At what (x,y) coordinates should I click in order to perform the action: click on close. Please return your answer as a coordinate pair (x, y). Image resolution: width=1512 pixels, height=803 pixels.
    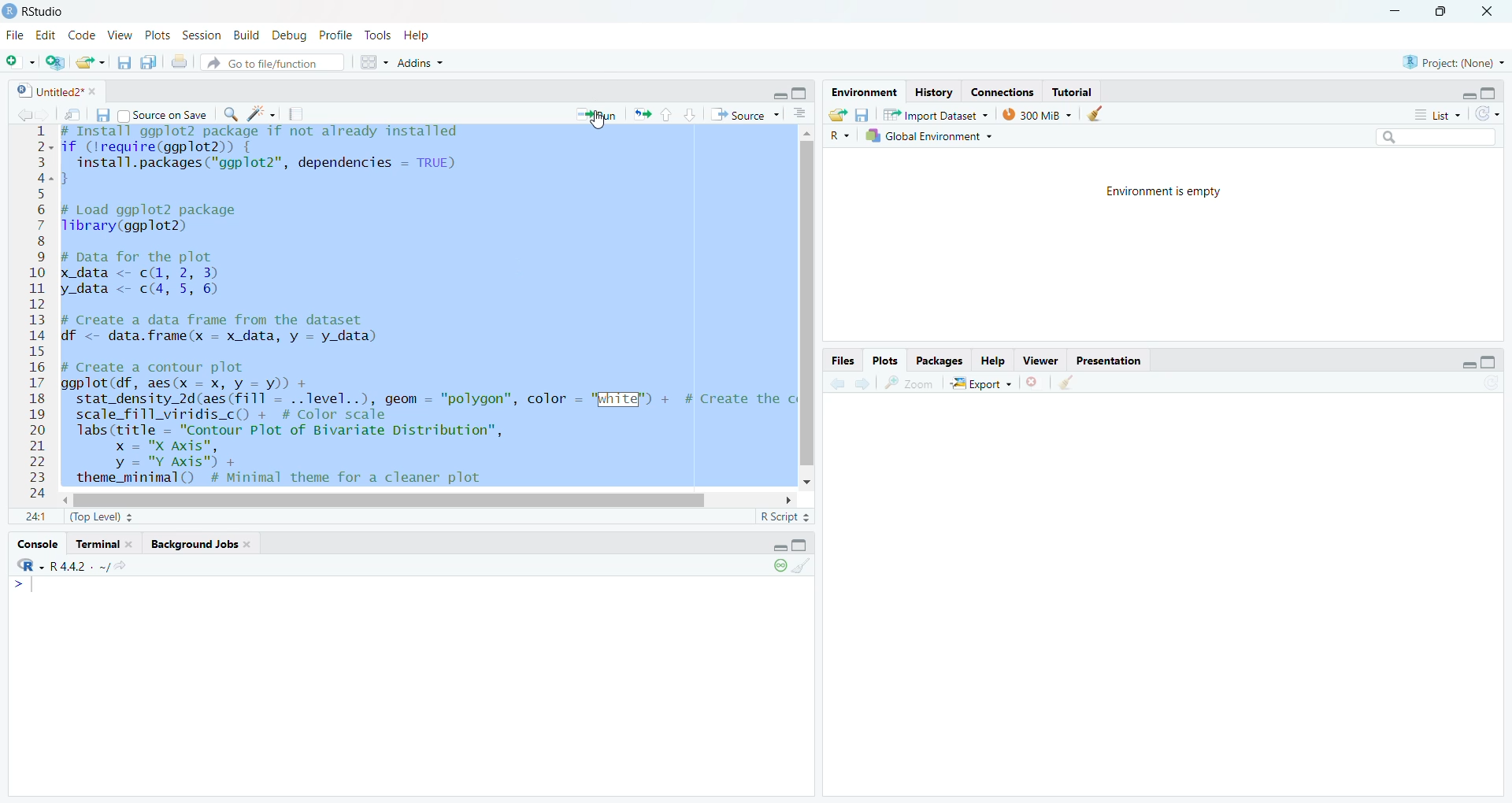
    Looking at the image, I should click on (1482, 13).